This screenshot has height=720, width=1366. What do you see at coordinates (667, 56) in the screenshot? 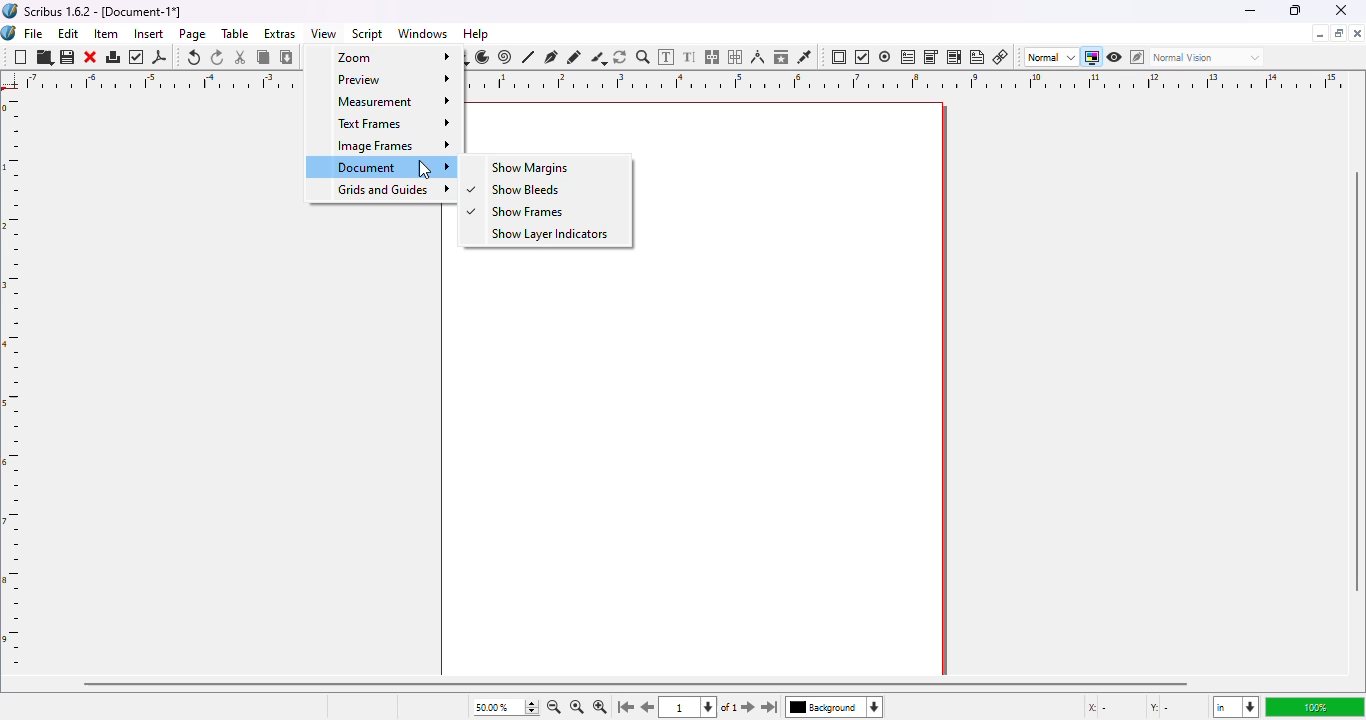
I see `edit contents in frame` at bounding box center [667, 56].